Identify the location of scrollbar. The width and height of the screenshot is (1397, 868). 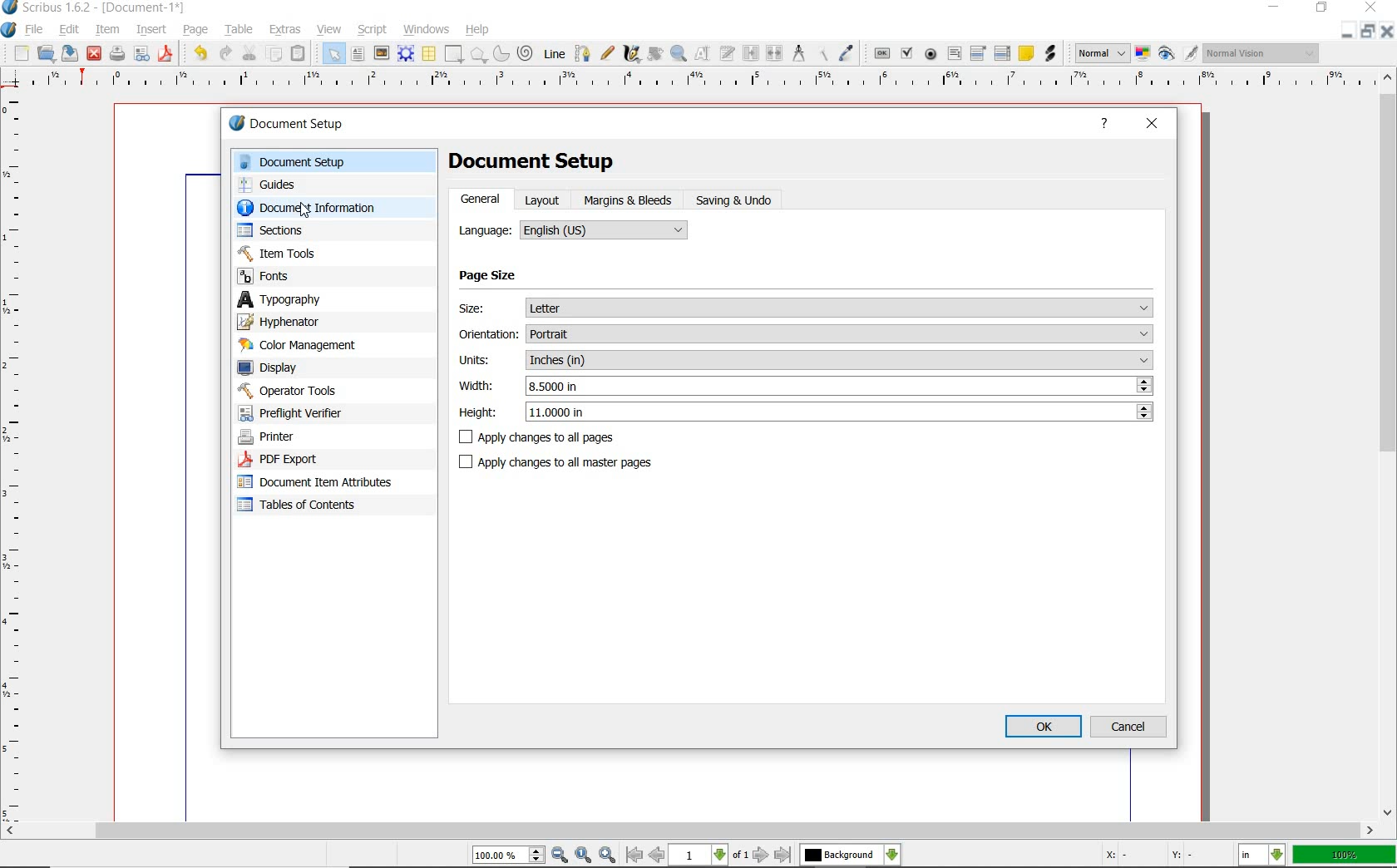
(1389, 446).